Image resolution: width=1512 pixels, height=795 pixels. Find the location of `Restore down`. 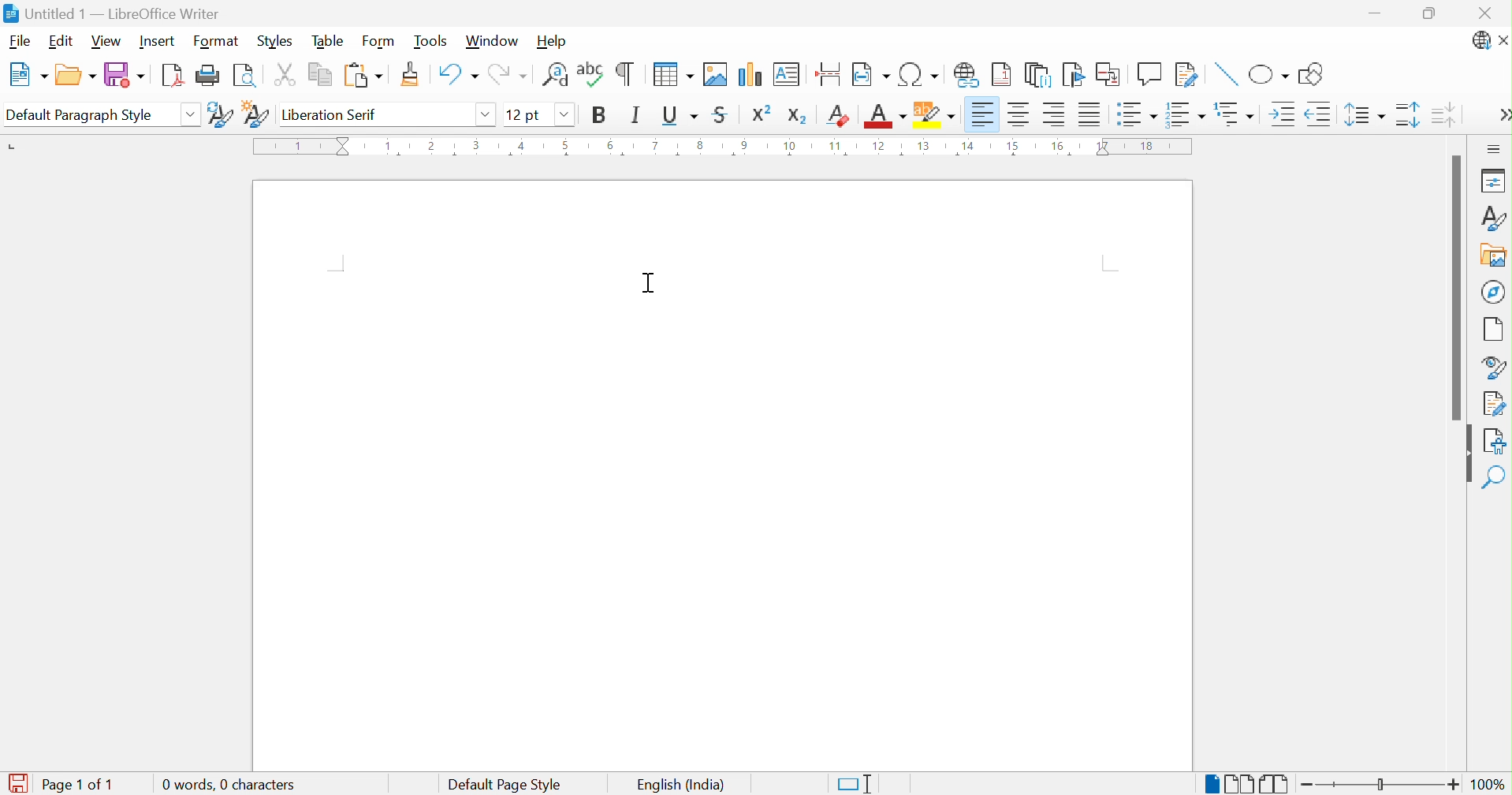

Restore down is located at coordinates (1432, 15).